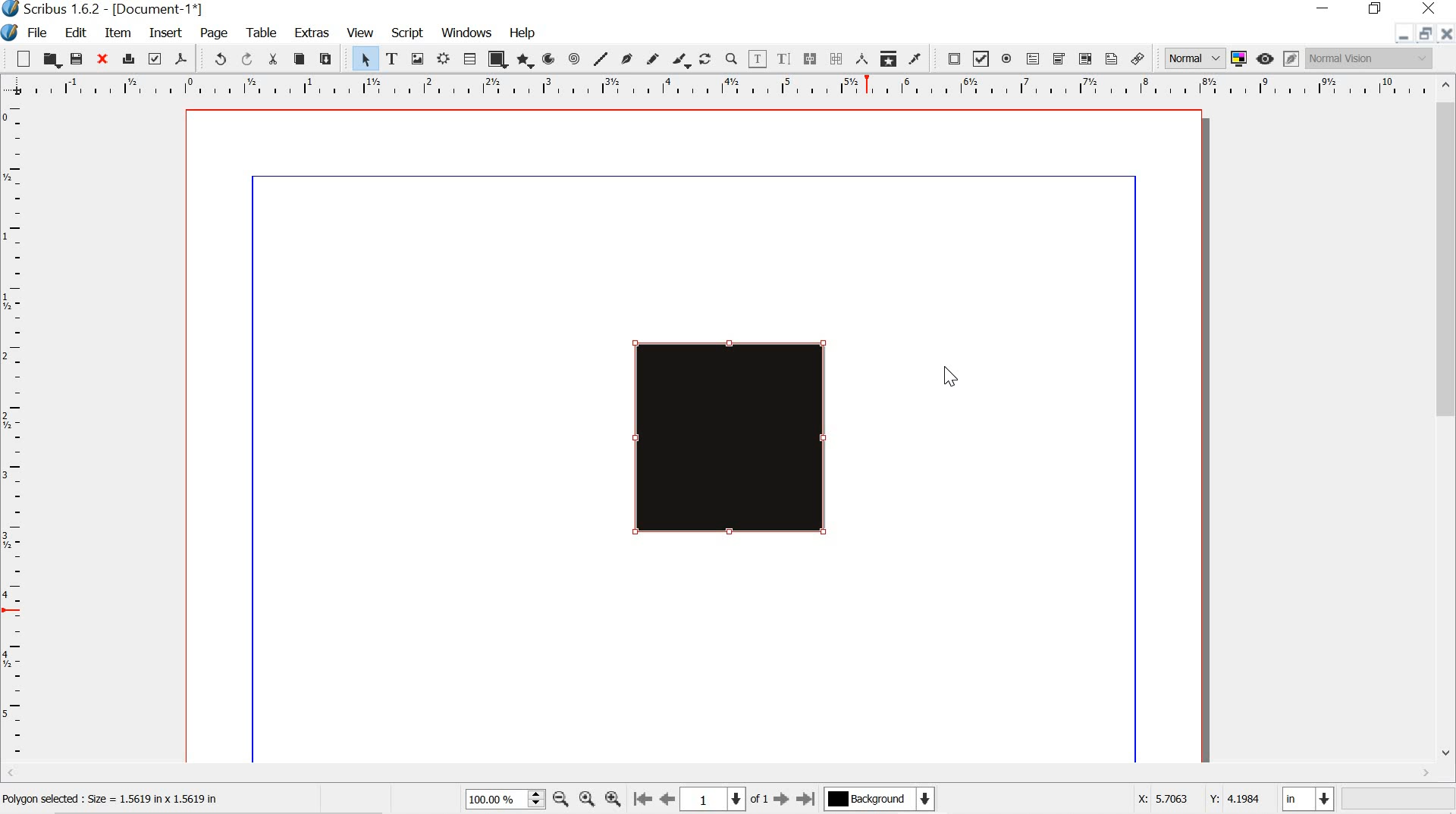 The height and width of the screenshot is (814, 1456). I want to click on gradient added to object, so click(726, 434).